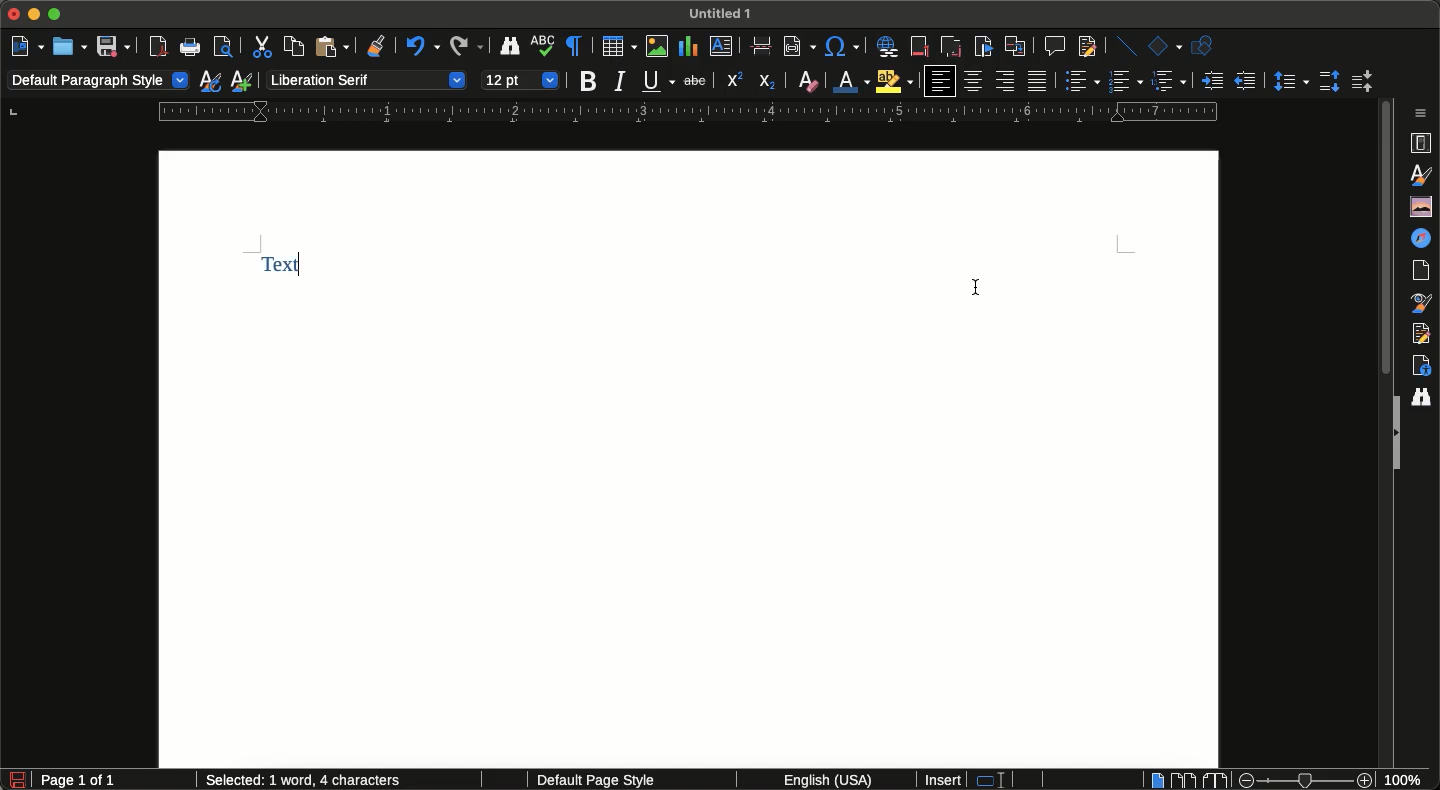 The image size is (1440, 790). What do you see at coordinates (1183, 779) in the screenshot?
I see `Multiple-page view` at bounding box center [1183, 779].